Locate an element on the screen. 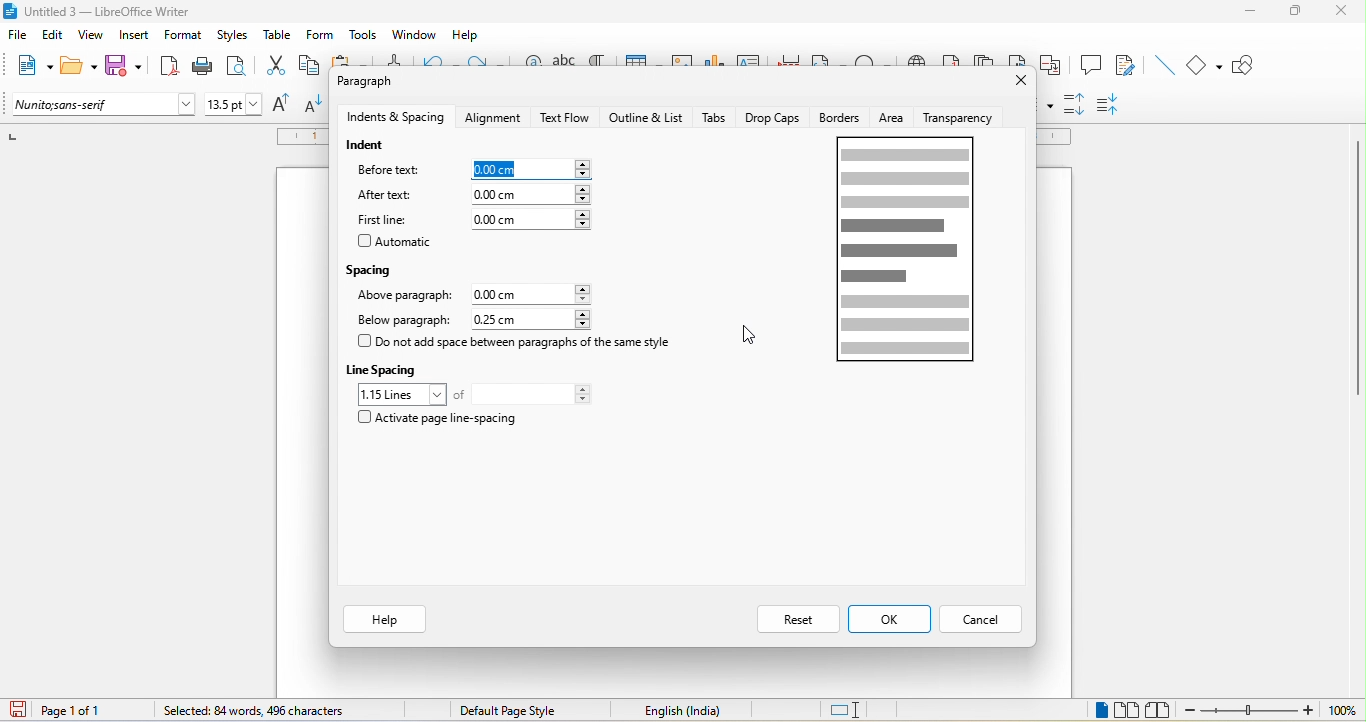 This screenshot has width=1366, height=722. title is located at coordinates (97, 12).